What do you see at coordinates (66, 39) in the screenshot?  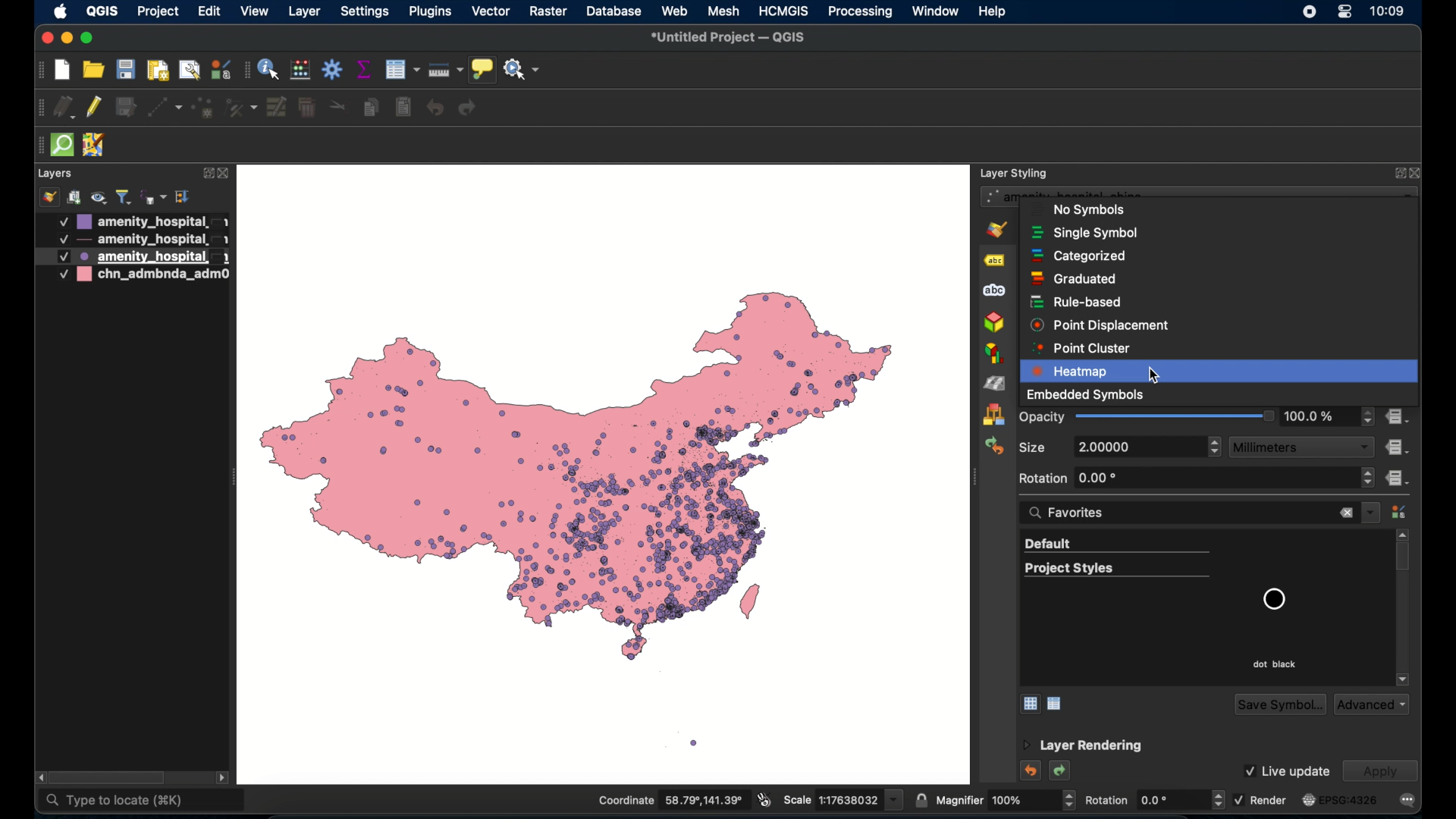 I see `minimize` at bounding box center [66, 39].